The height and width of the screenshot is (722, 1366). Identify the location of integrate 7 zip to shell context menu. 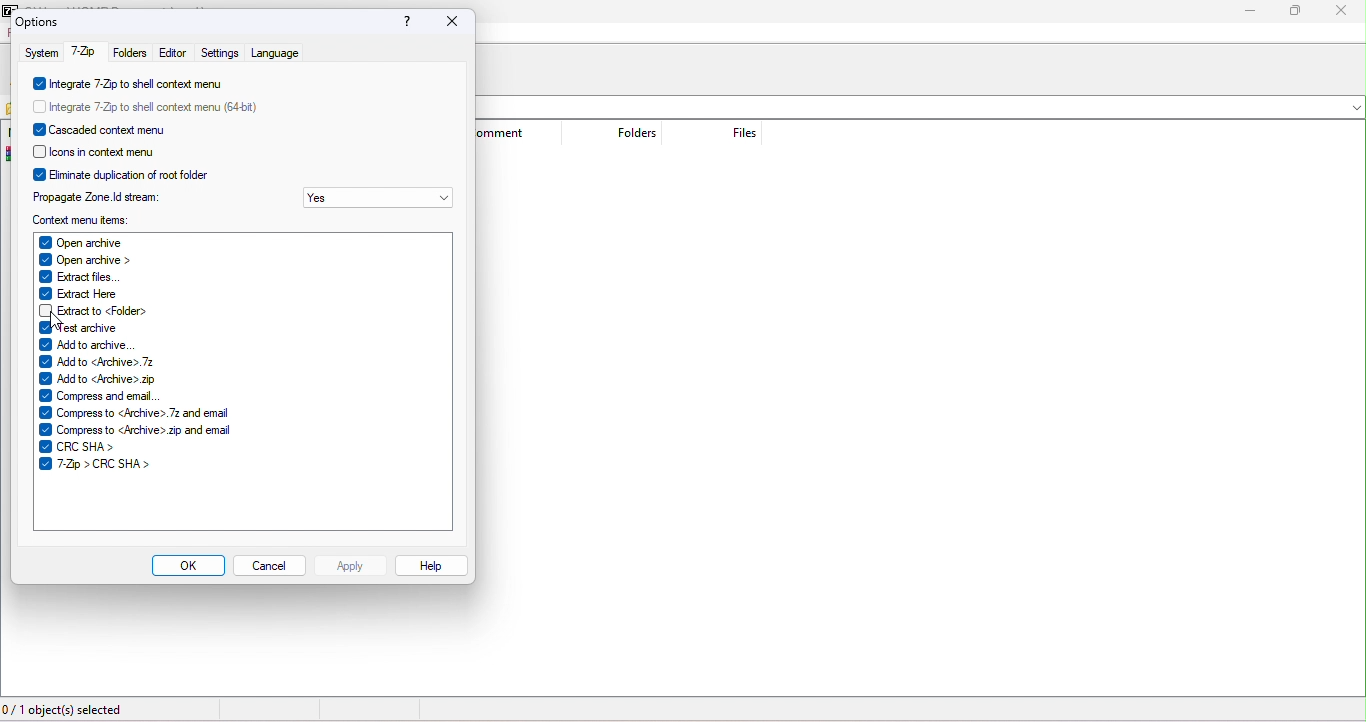
(132, 83).